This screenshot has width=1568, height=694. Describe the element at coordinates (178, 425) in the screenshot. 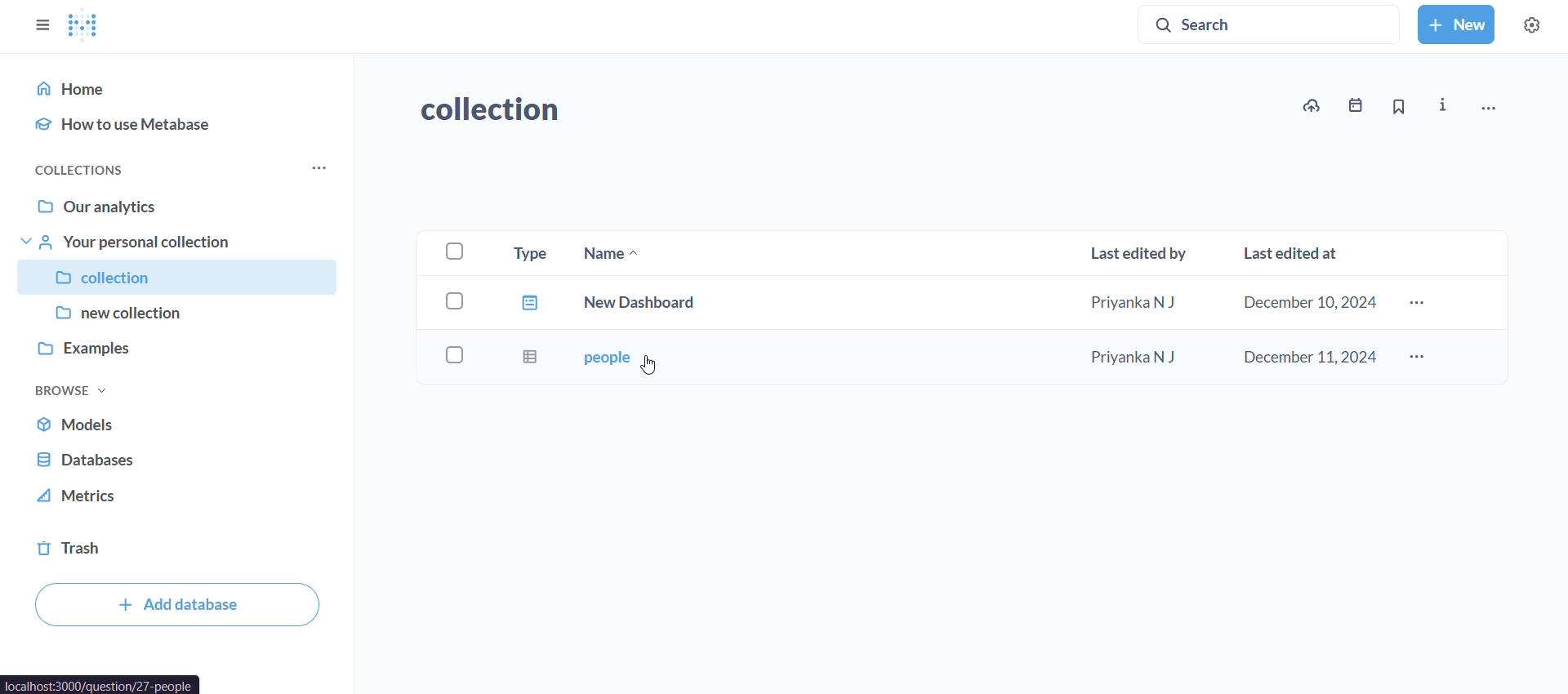

I see `models` at that location.